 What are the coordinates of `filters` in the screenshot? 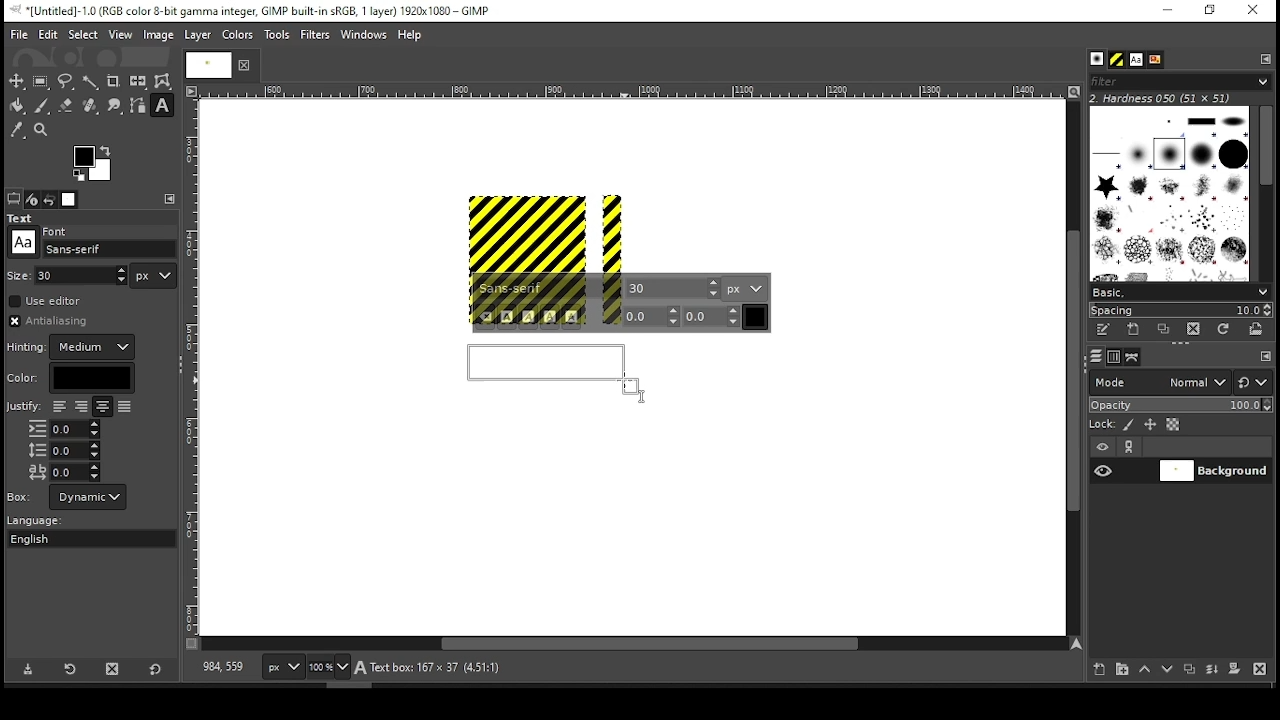 It's located at (1177, 82).